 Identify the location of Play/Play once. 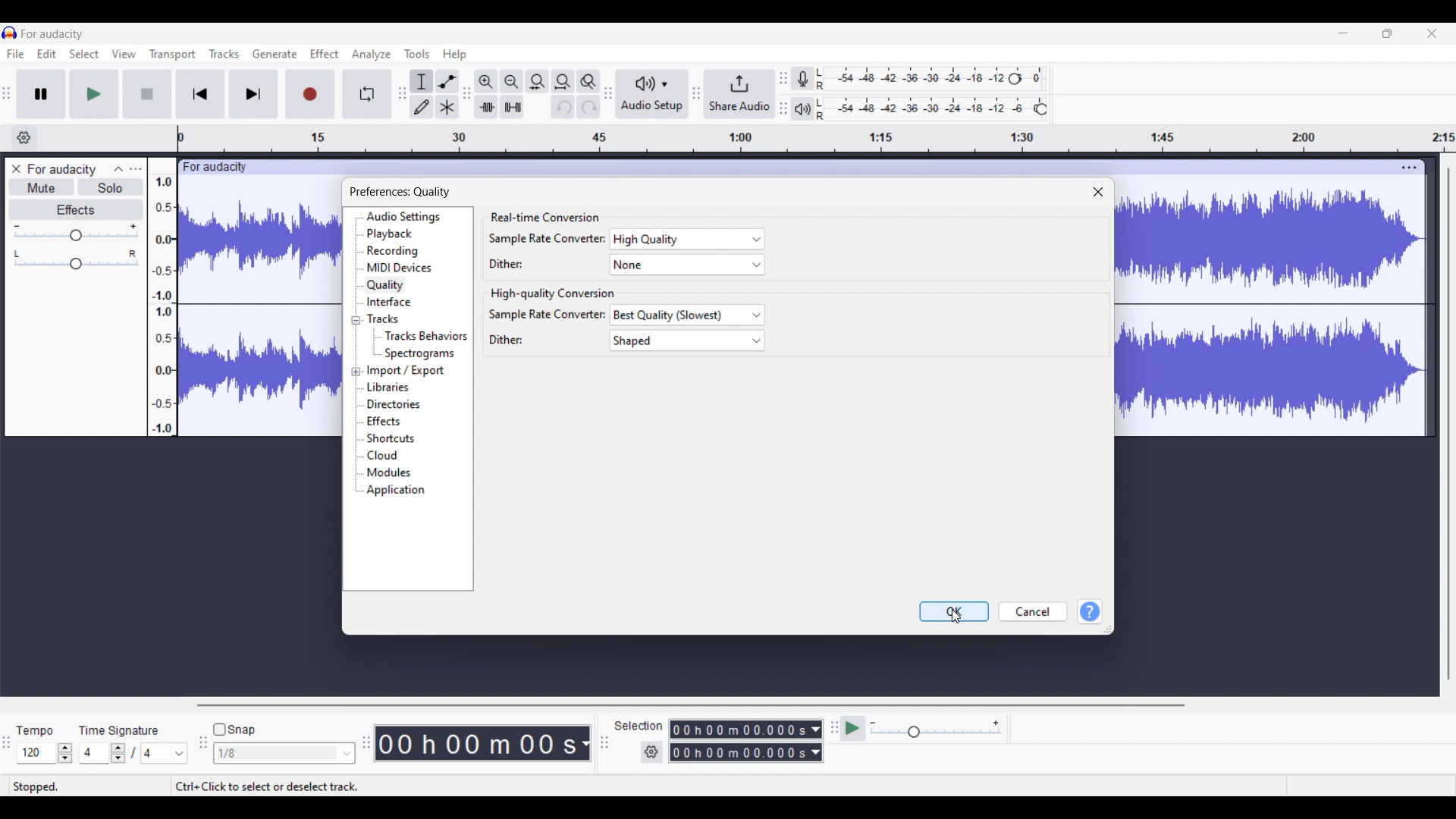
(94, 93).